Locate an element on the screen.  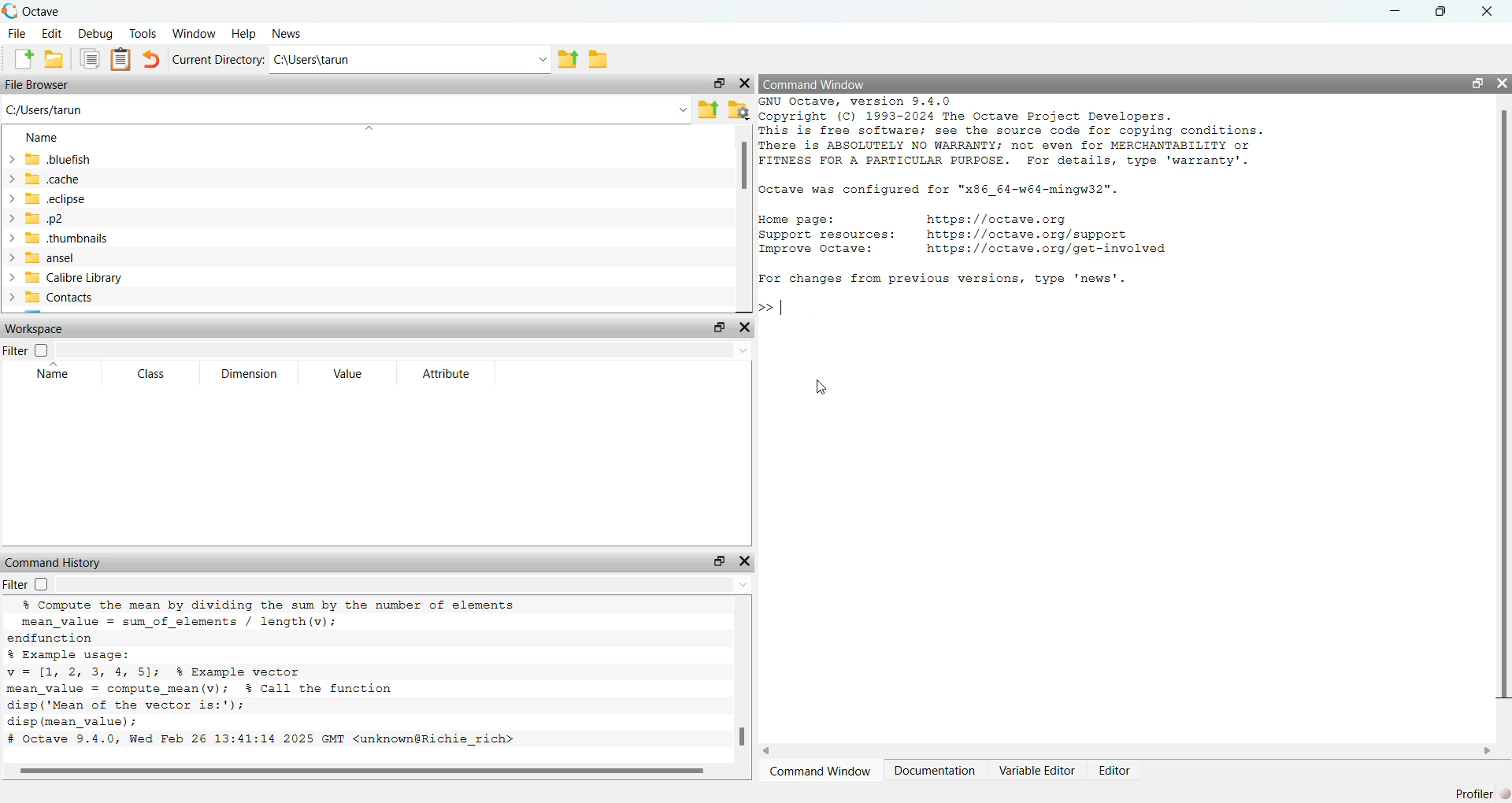
undo is located at coordinates (151, 60).